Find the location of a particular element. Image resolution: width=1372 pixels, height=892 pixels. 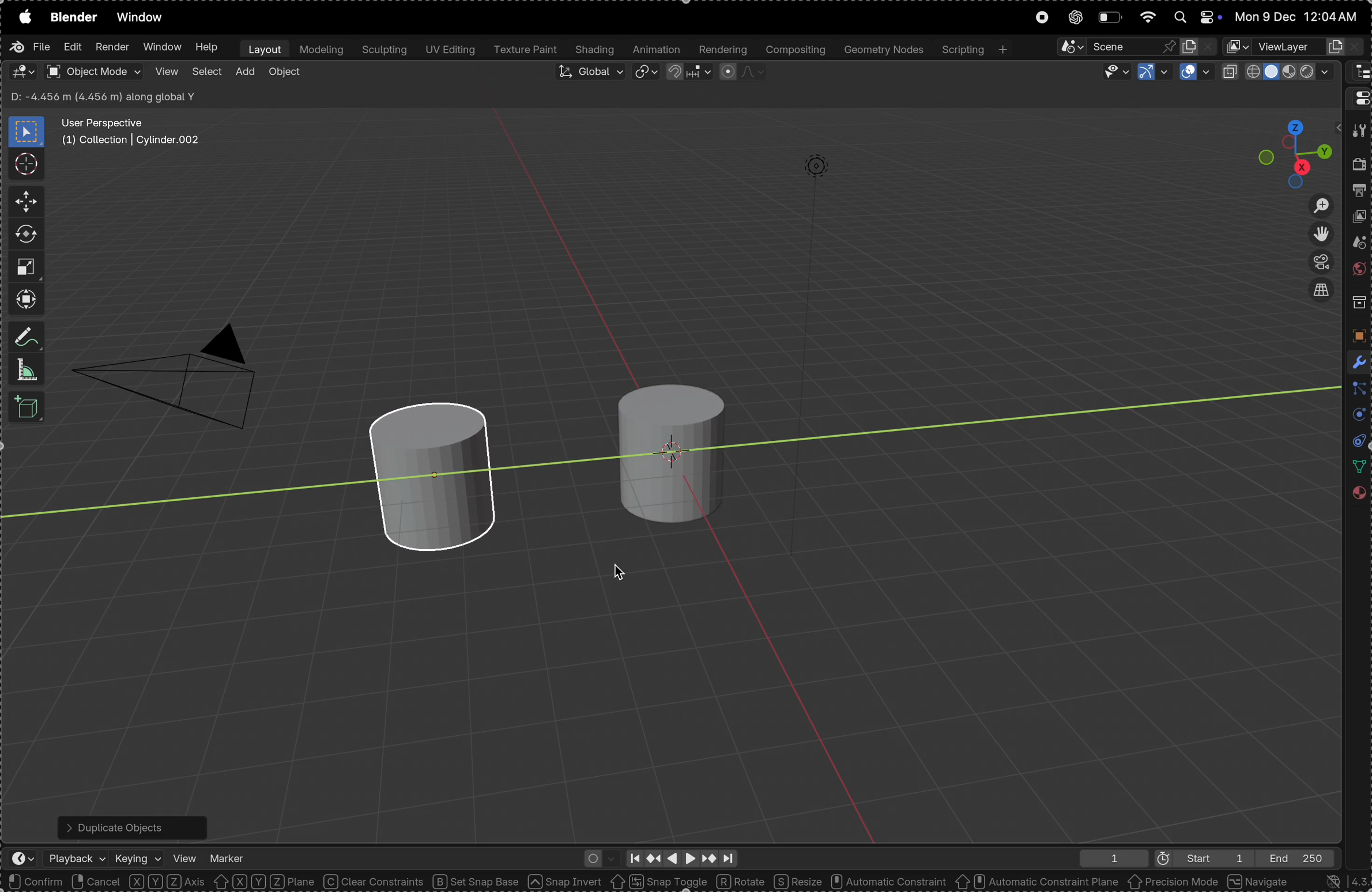

keying is located at coordinates (138, 855).